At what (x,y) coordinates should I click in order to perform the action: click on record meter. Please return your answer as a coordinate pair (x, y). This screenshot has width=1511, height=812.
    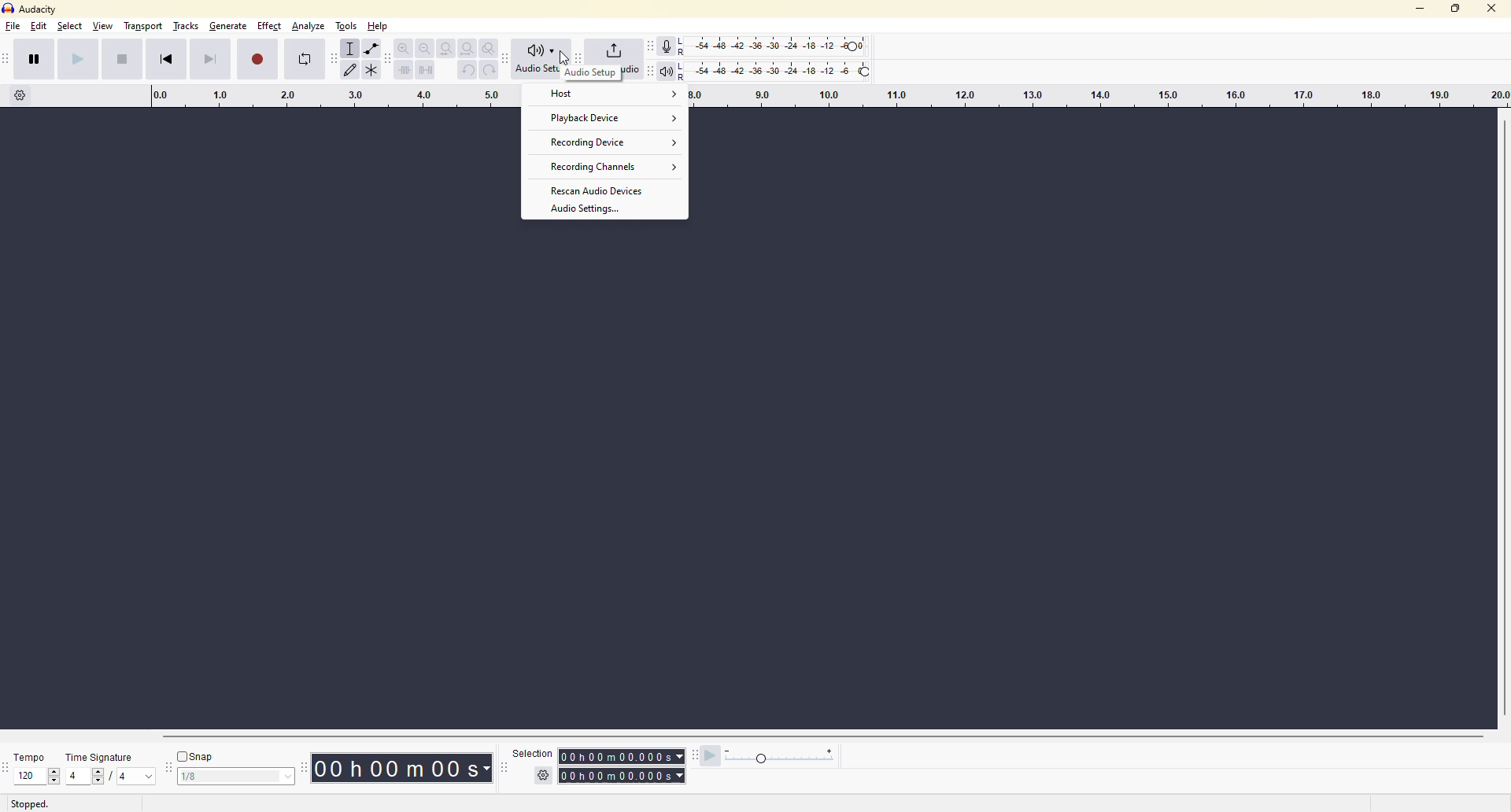
    Looking at the image, I should click on (661, 46).